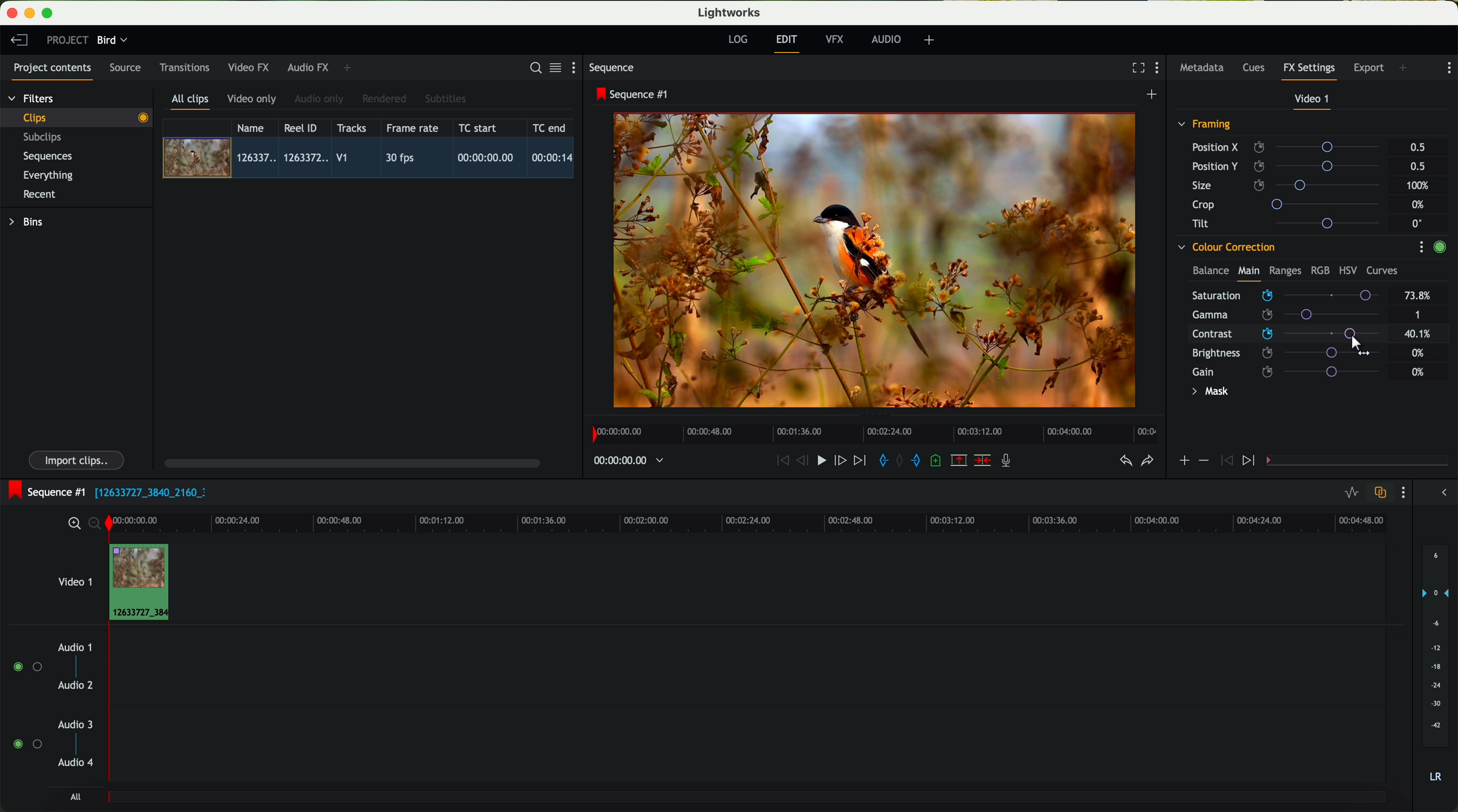  Describe the element at coordinates (44, 492) in the screenshot. I see `sequence #1` at that location.